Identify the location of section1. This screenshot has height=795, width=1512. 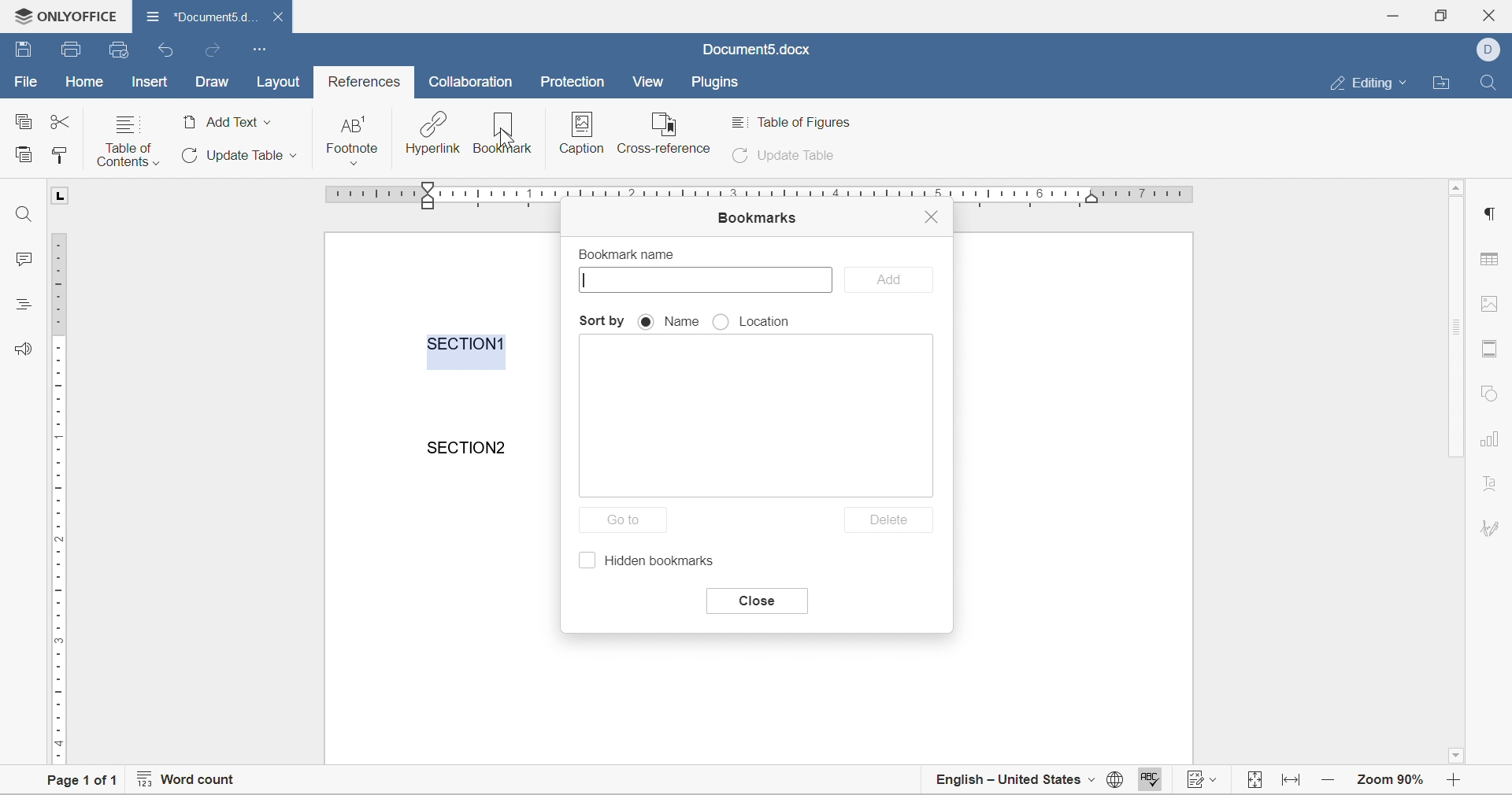
(467, 343).